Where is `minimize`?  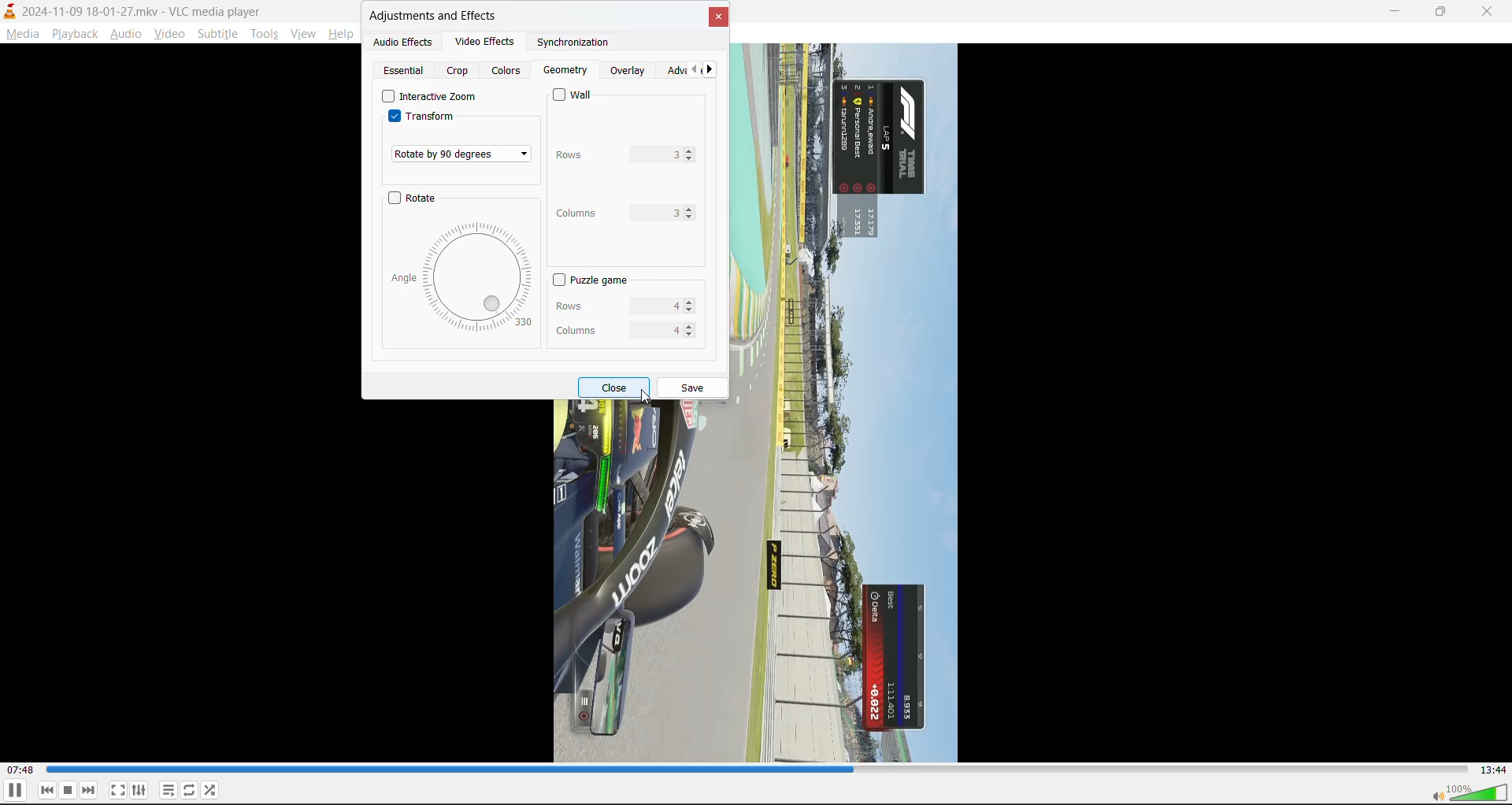 minimize is located at coordinates (1394, 13).